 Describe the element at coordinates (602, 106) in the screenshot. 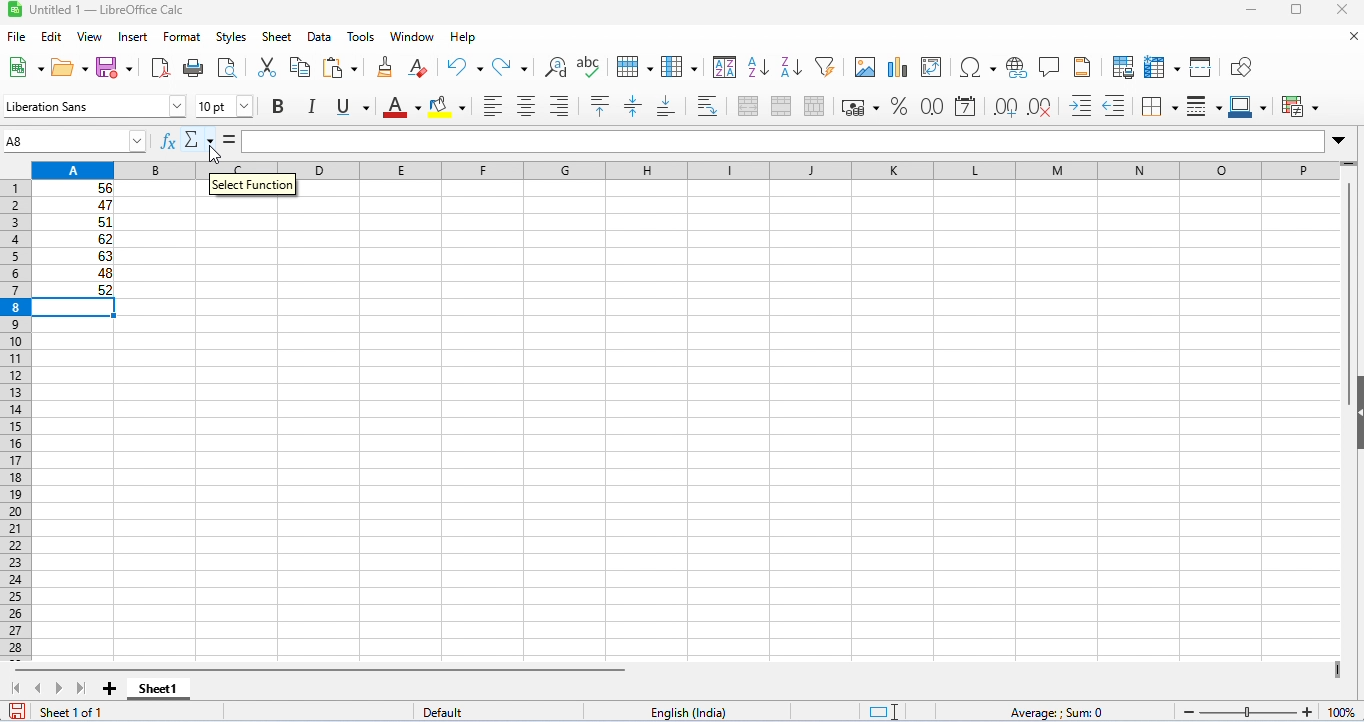

I see `align top` at that location.